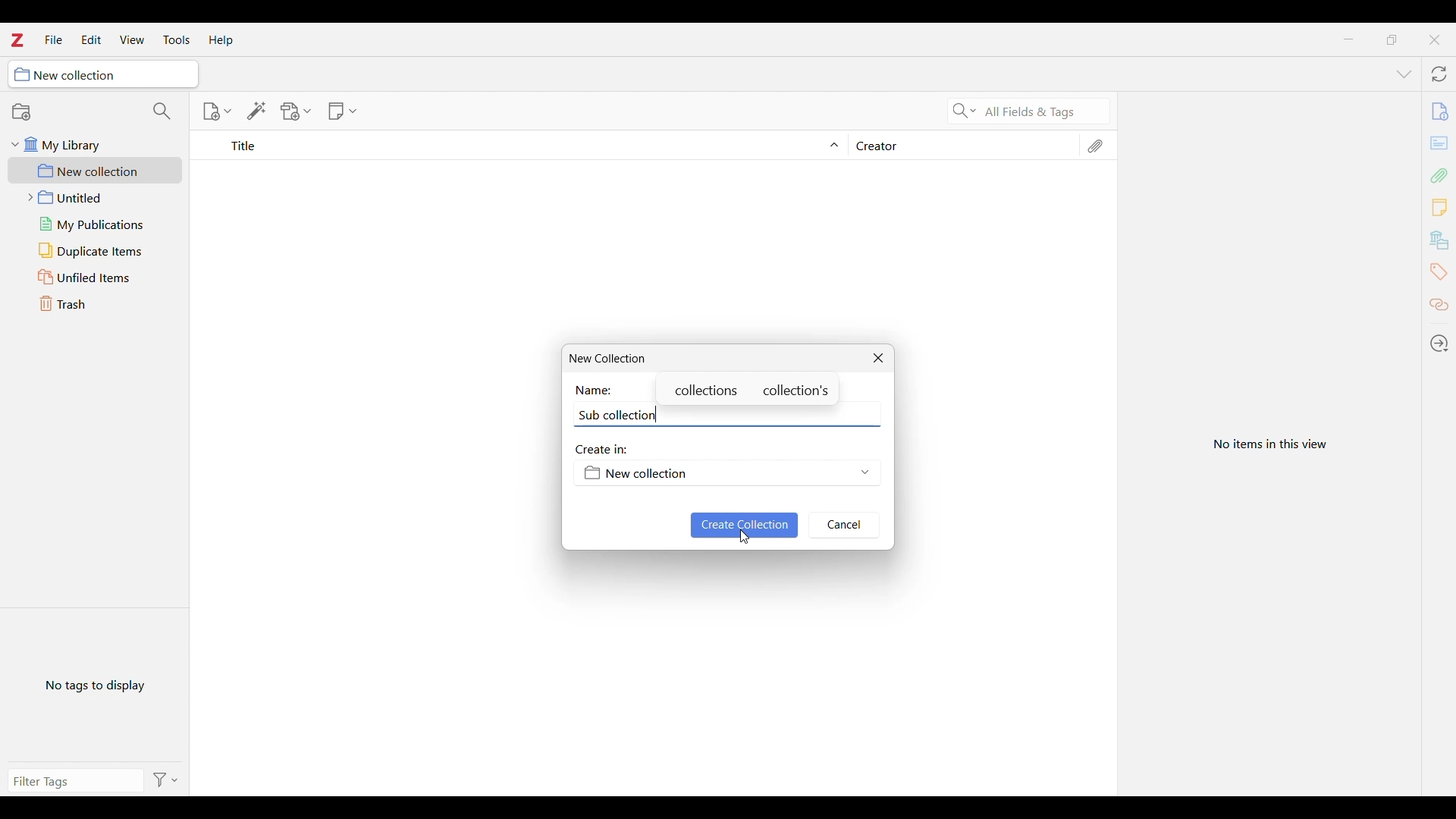 The height and width of the screenshot is (819, 1456). I want to click on Trash folder, so click(95, 303).